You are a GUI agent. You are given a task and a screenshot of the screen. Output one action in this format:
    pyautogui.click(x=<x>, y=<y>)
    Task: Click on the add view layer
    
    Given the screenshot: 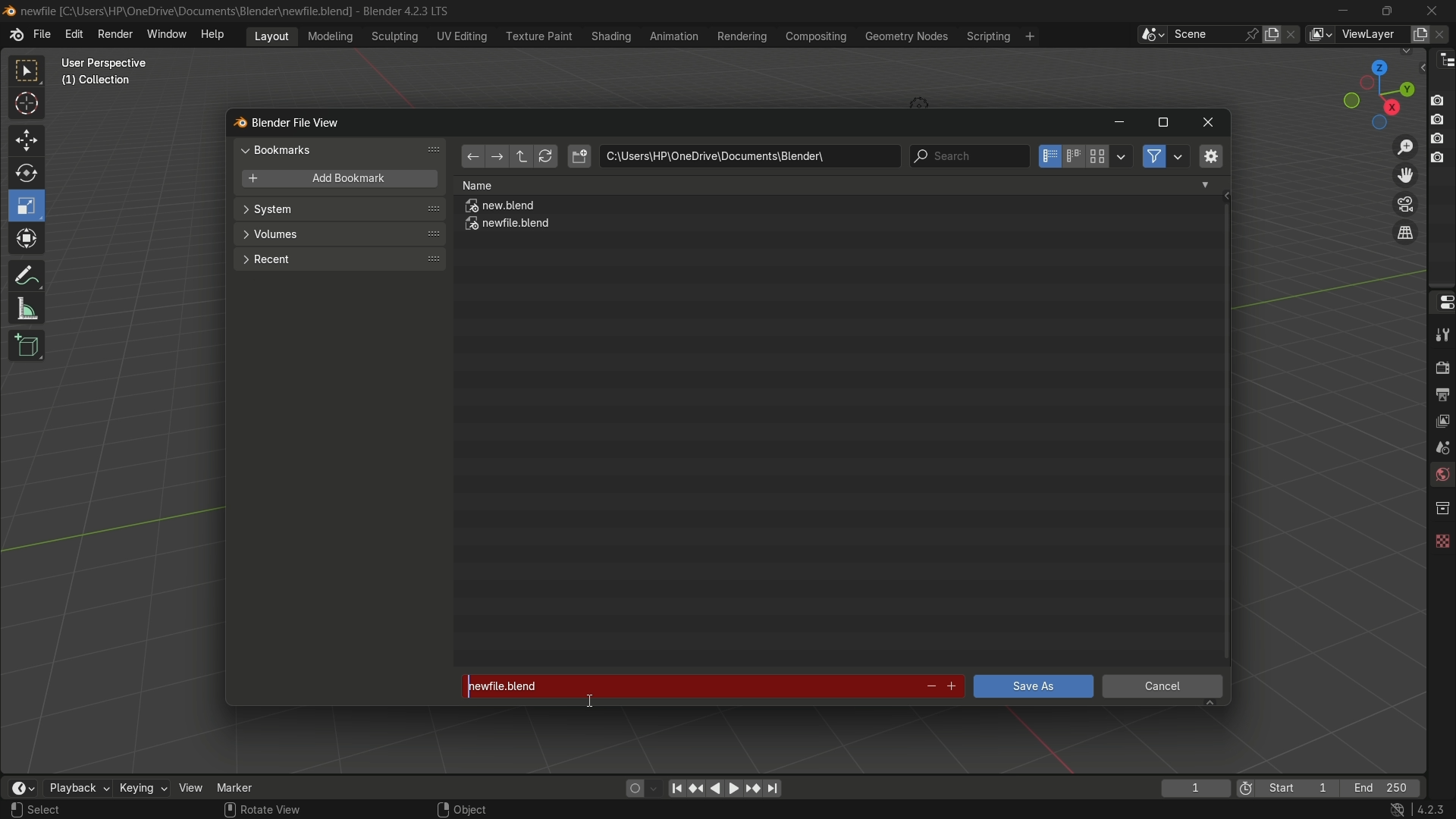 What is the action you would take?
    pyautogui.click(x=1418, y=33)
    